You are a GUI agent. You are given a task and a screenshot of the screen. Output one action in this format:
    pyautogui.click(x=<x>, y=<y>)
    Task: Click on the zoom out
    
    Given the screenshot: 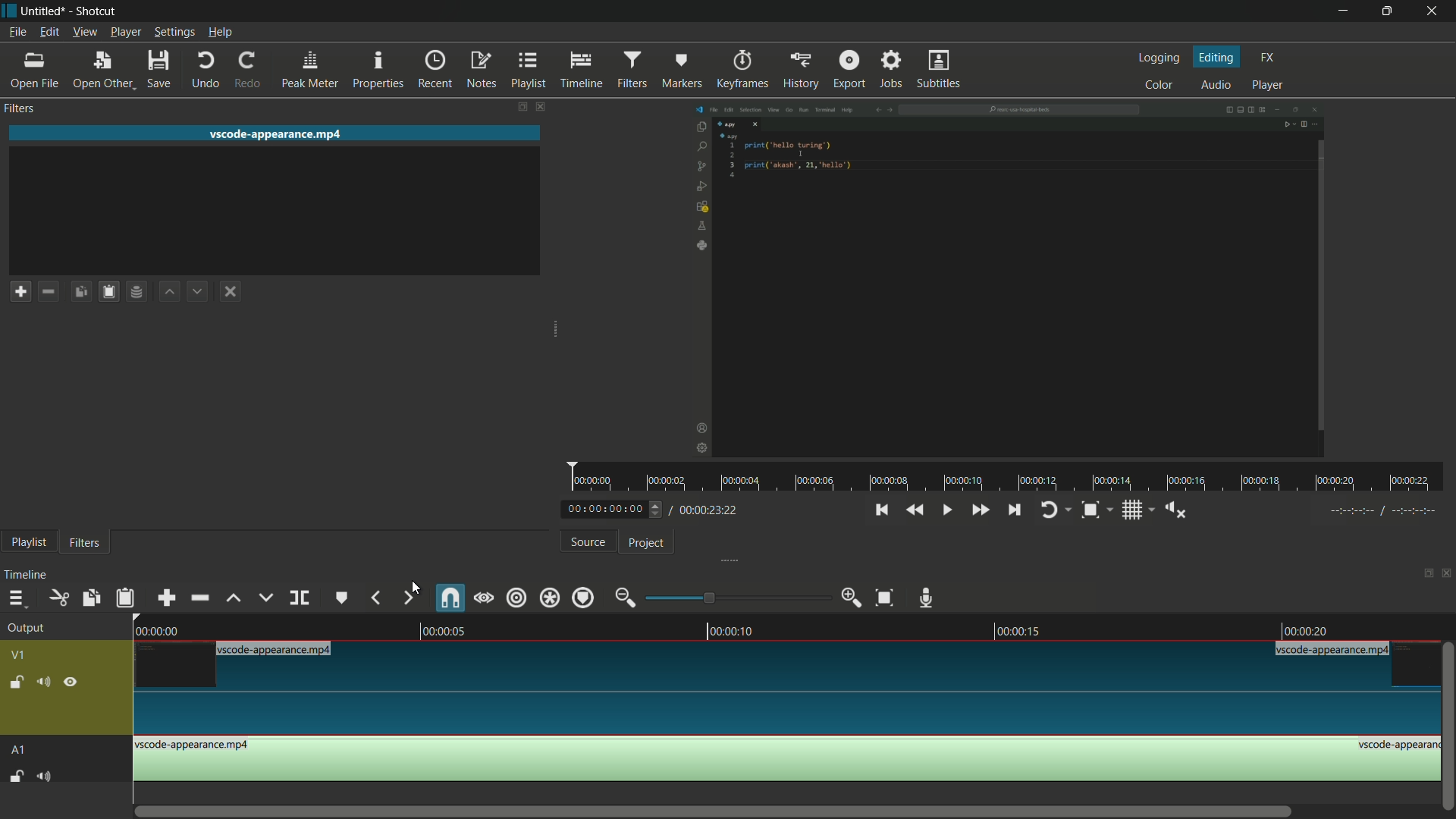 What is the action you would take?
    pyautogui.click(x=625, y=597)
    